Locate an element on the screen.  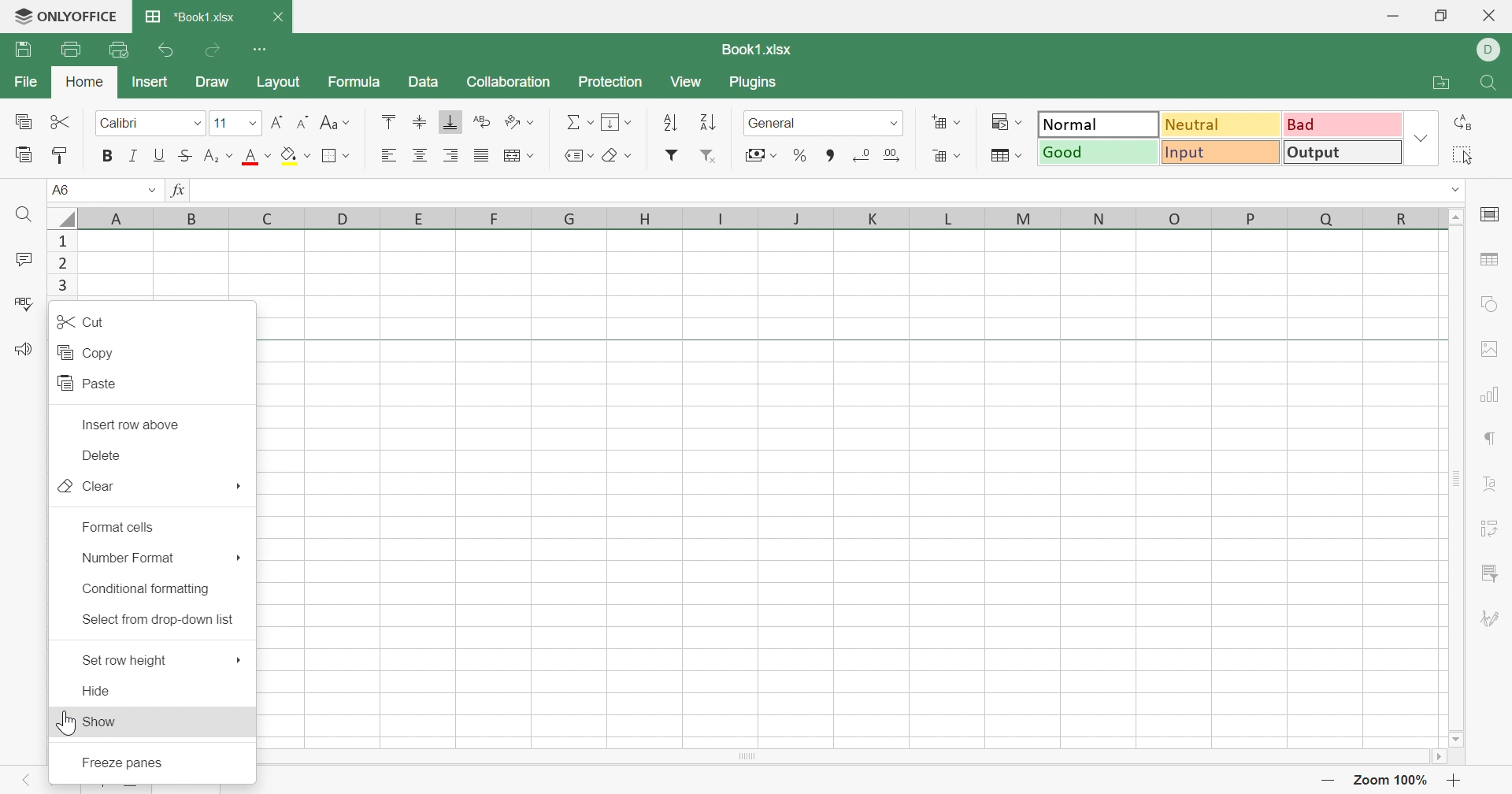
Increase decimal is located at coordinates (891, 155).